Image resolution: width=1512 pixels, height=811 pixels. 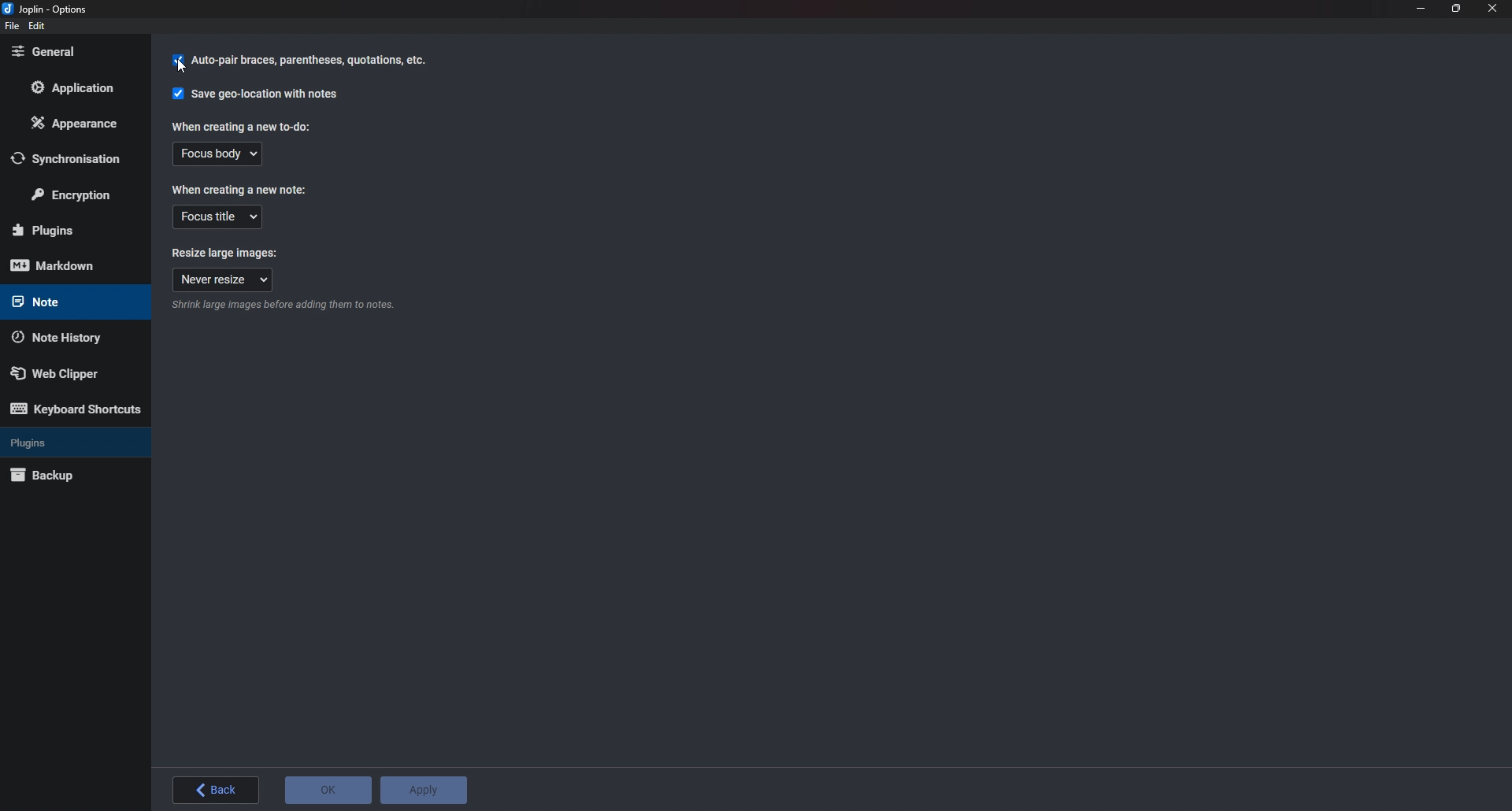 What do you see at coordinates (73, 52) in the screenshot?
I see `General` at bounding box center [73, 52].